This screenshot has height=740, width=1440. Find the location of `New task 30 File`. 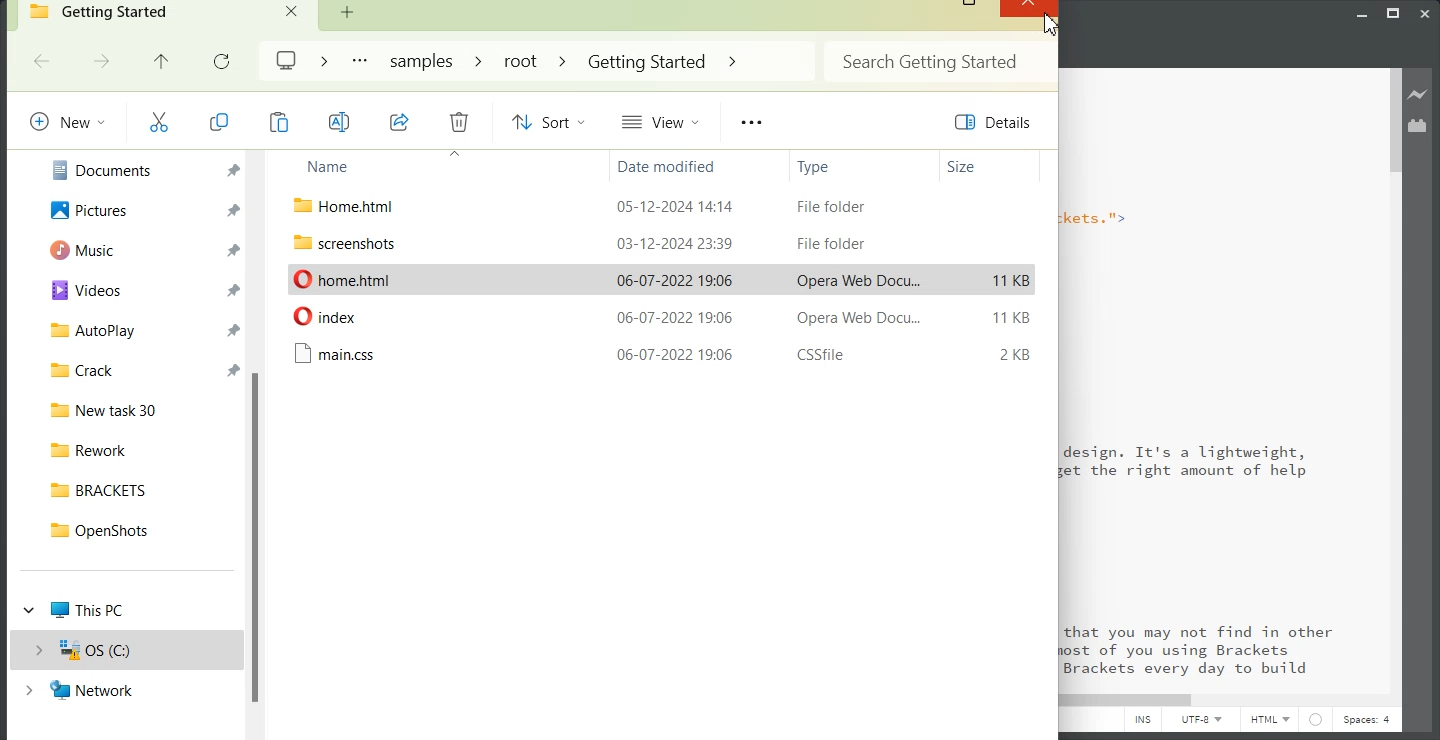

New task 30 File is located at coordinates (137, 410).